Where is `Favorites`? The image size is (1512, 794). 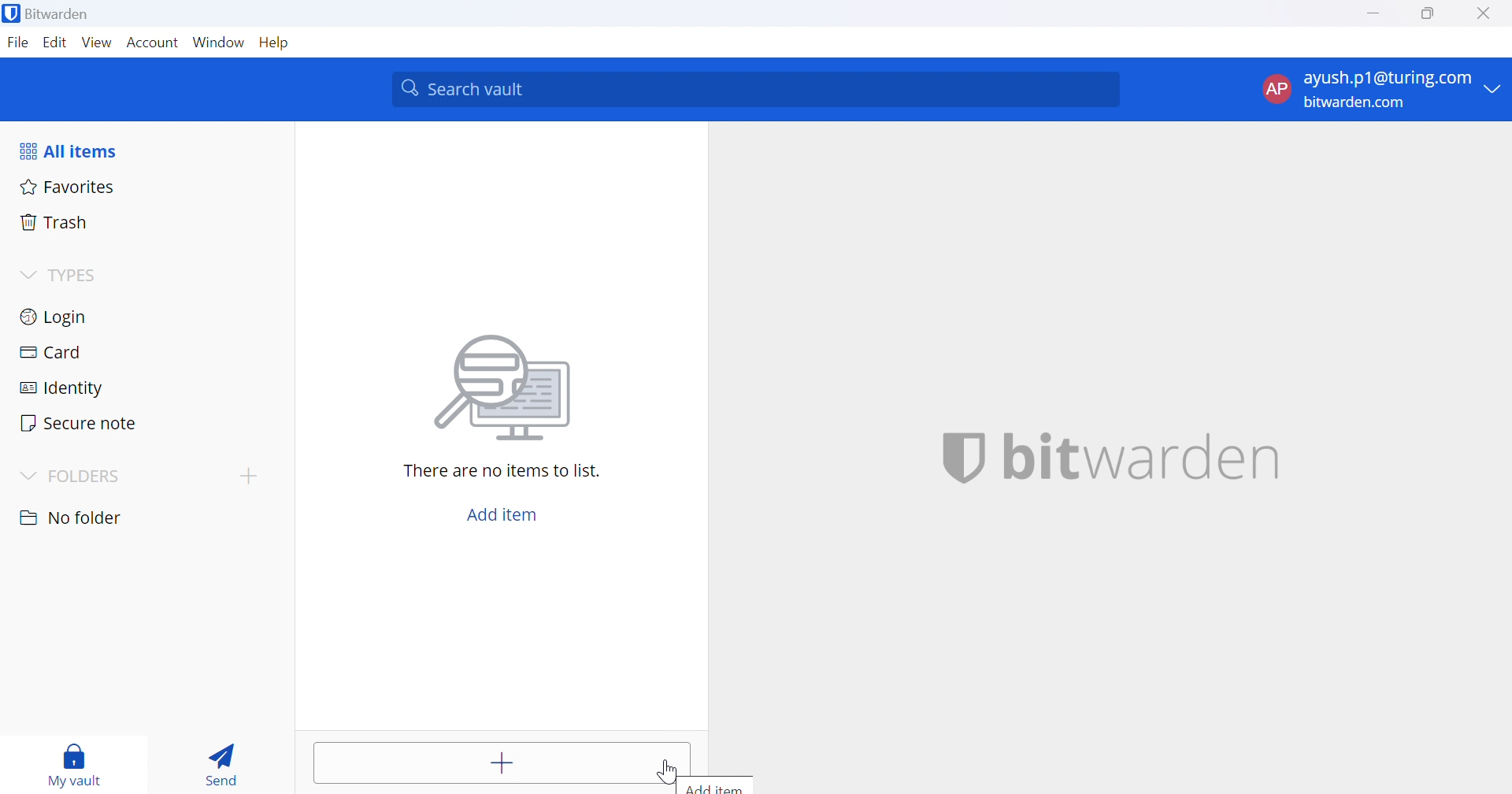
Favorites is located at coordinates (68, 186).